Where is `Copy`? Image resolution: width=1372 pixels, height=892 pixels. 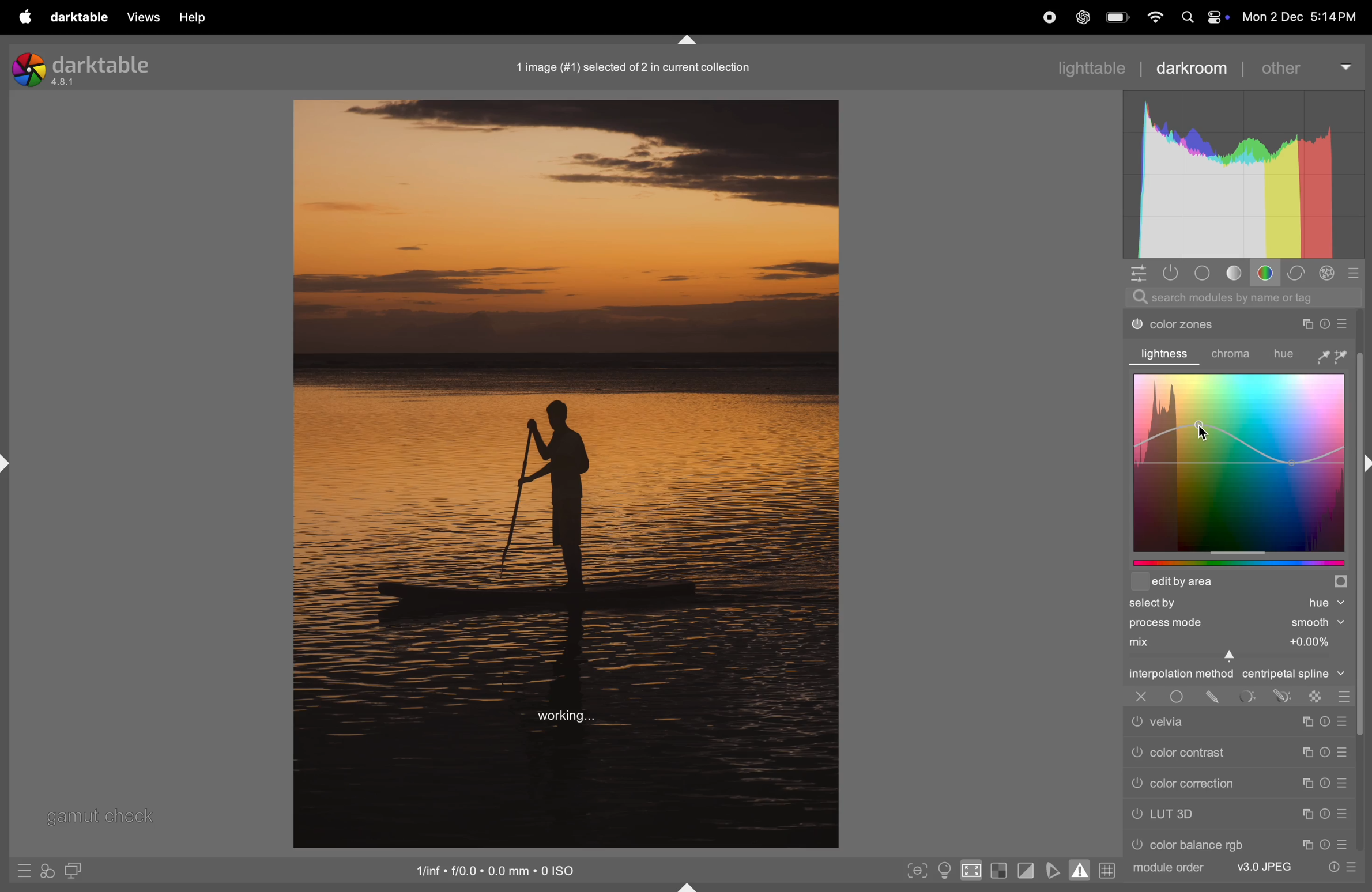
Copy is located at coordinates (1306, 752).